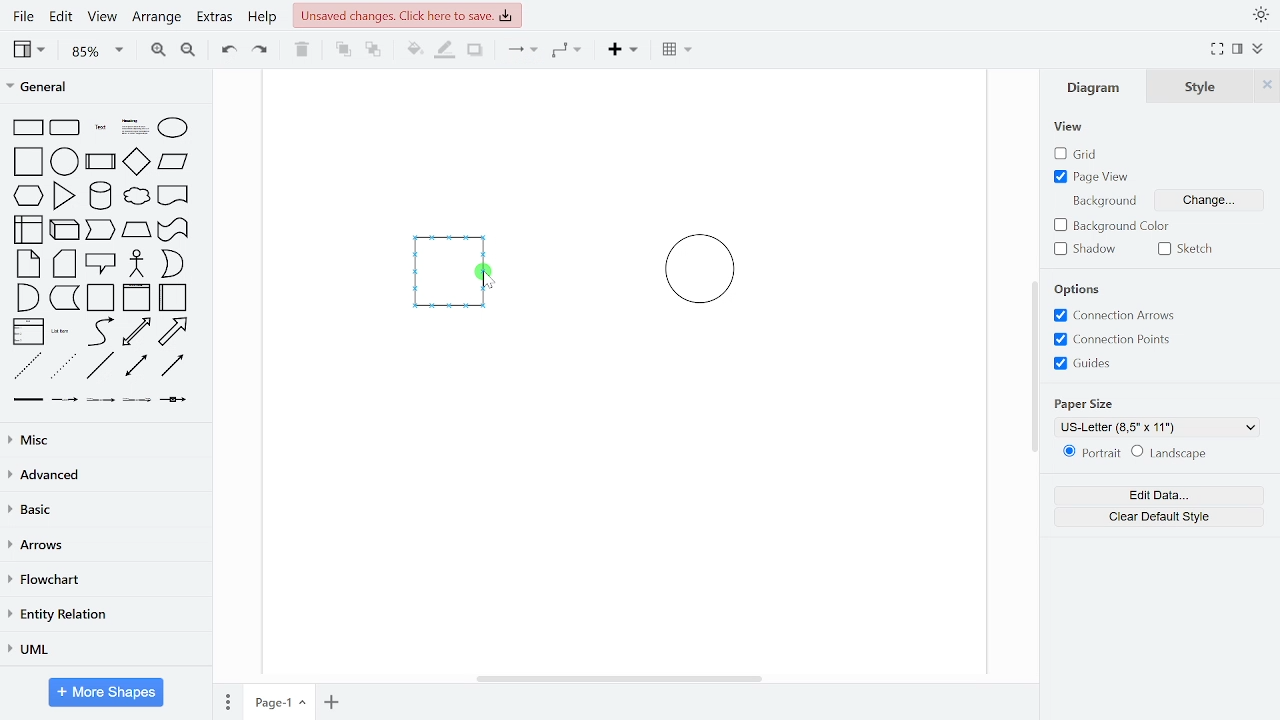 Image resolution: width=1280 pixels, height=720 pixels. What do you see at coordinates (173, 161) in the screenshot?
I see `paralellogram` at bounding box center [173, 161].